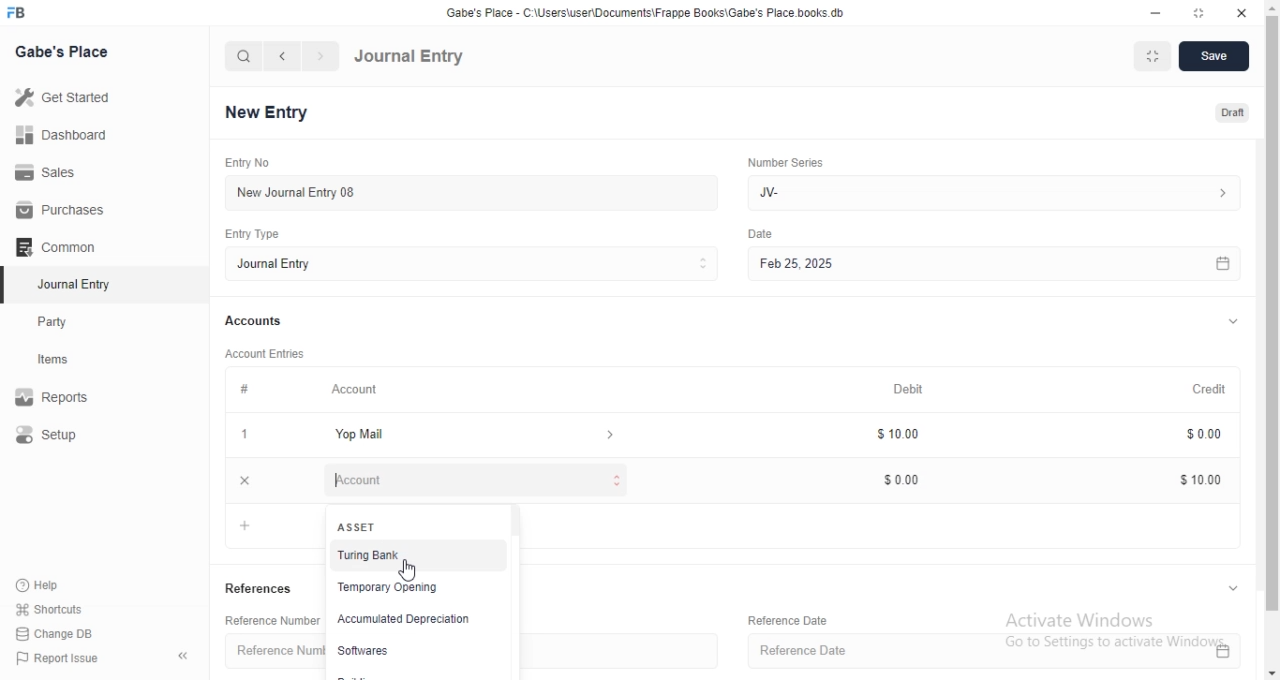 The image size is (1280, 680). Describe the element at coordinates (285, 56) in the screenshot. I see `navigate backward` at that location.